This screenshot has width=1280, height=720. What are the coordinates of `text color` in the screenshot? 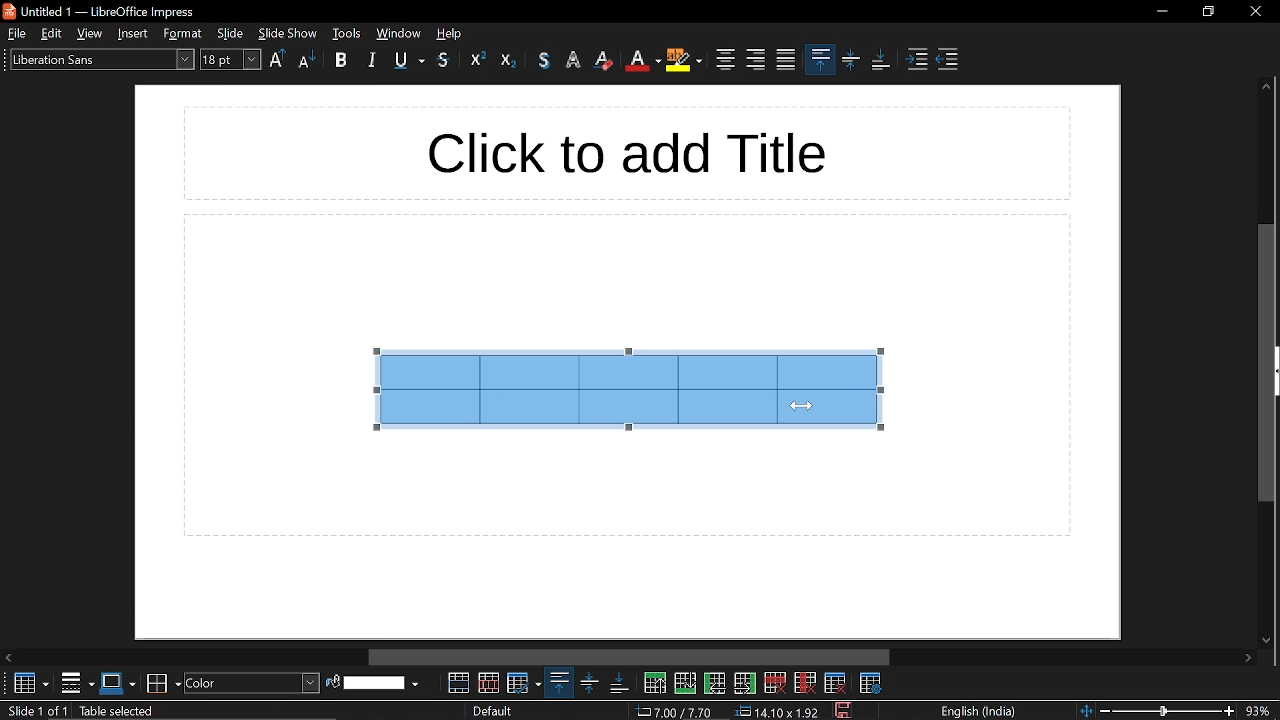 It's located at (643, 61).